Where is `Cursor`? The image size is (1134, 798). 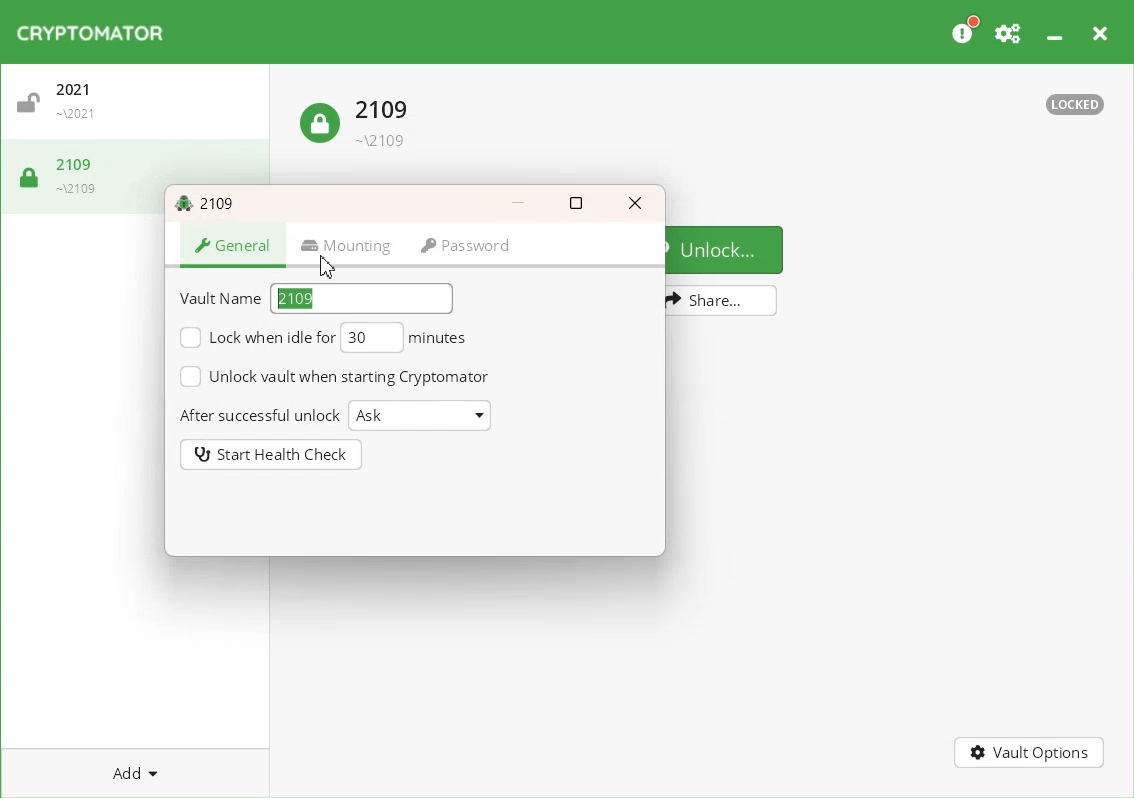 Cursor is located at coordinates (330, 268).